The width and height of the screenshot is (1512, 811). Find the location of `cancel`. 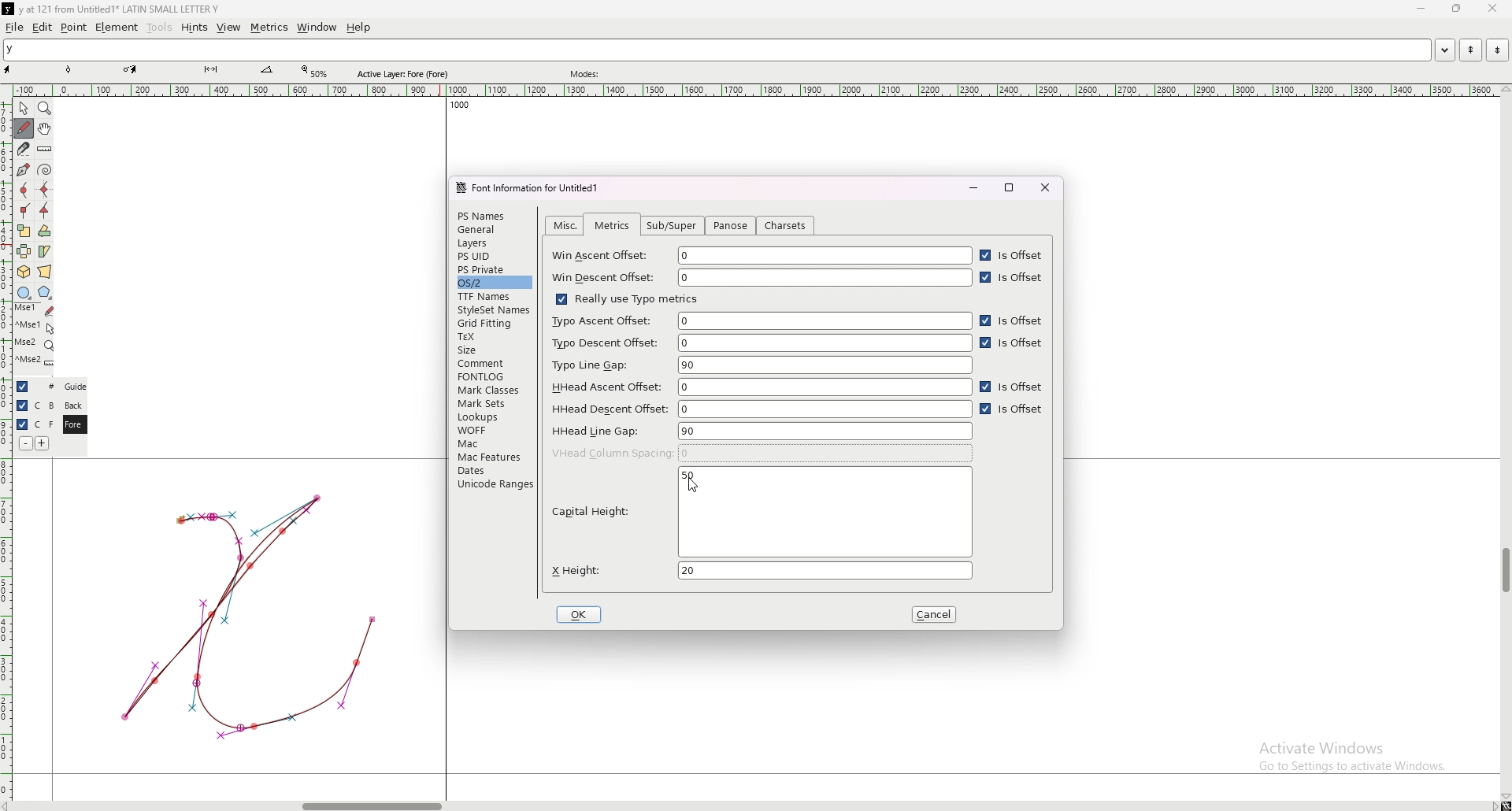

cancel is located at coordinates (936, 615).